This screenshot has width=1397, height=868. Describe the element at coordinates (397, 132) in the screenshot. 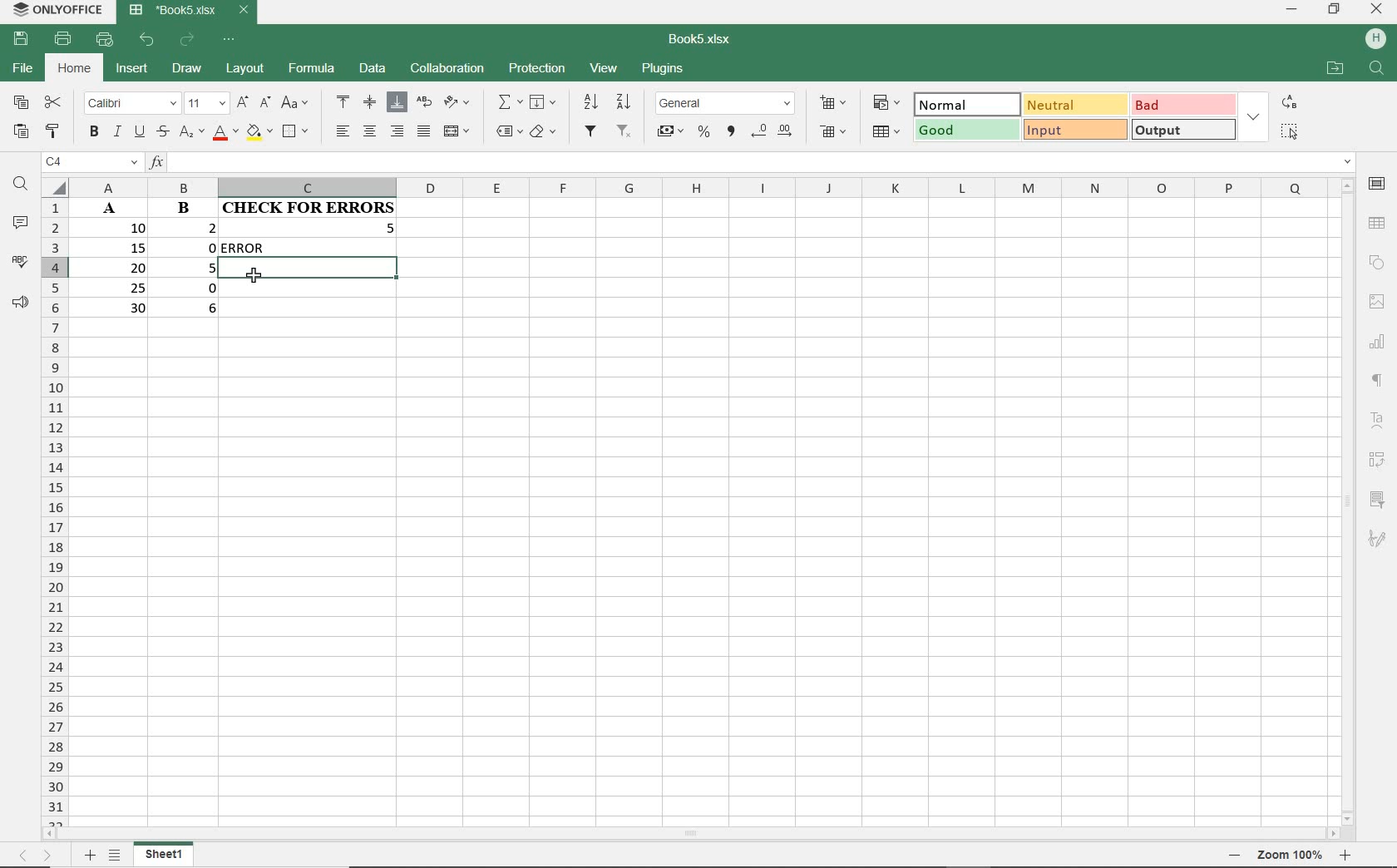

I see `ALIGN RIGHT` at that location.